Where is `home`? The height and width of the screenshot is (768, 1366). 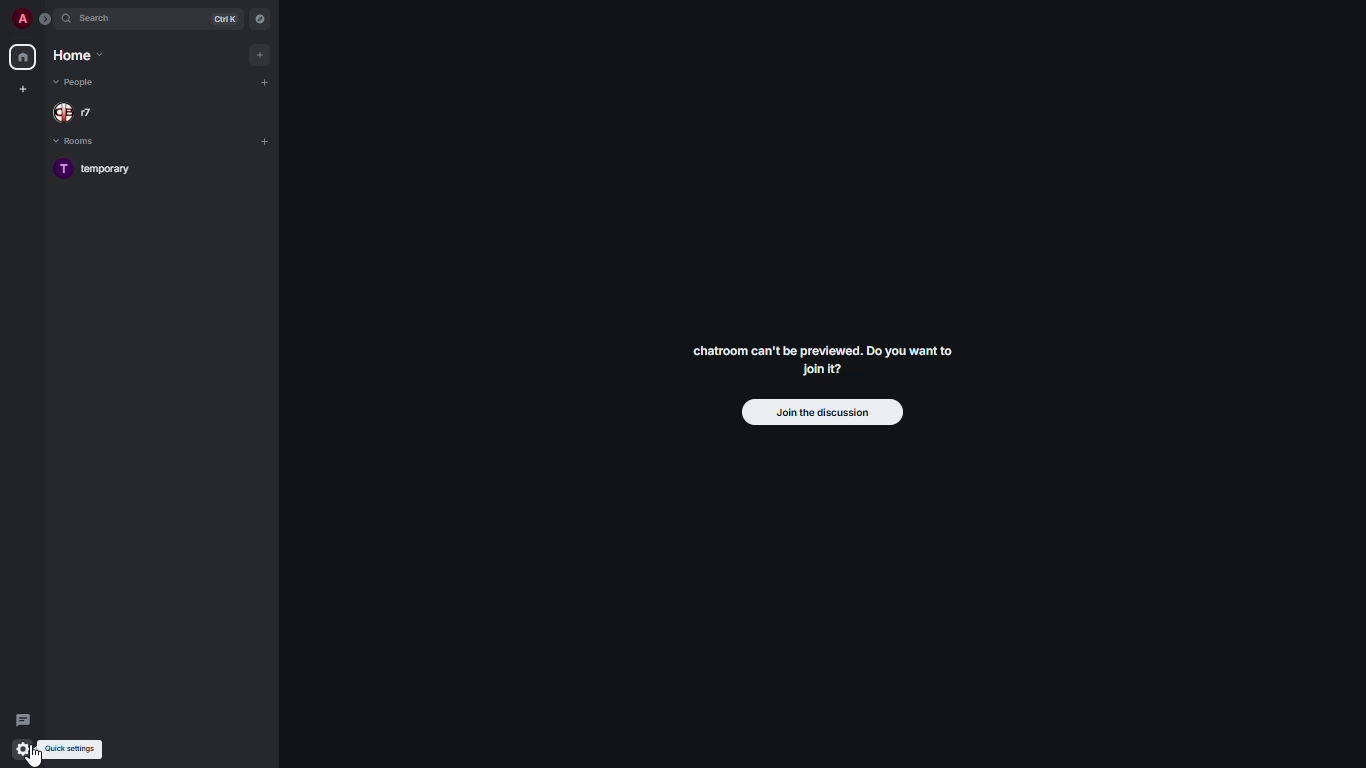 home is located at coordinates (78, 55).